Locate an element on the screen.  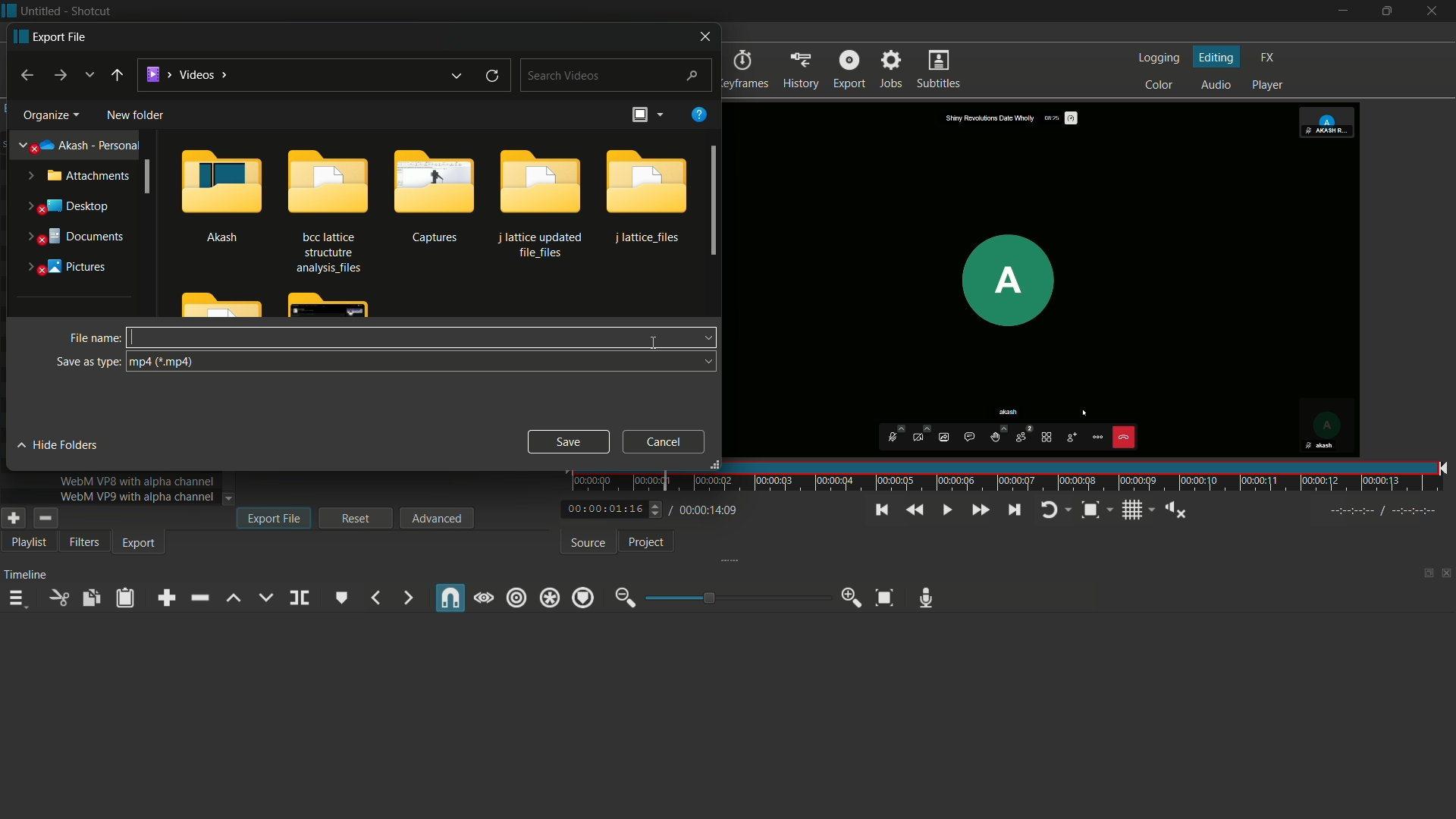
folder-1 is located at coordinates (222, 193).